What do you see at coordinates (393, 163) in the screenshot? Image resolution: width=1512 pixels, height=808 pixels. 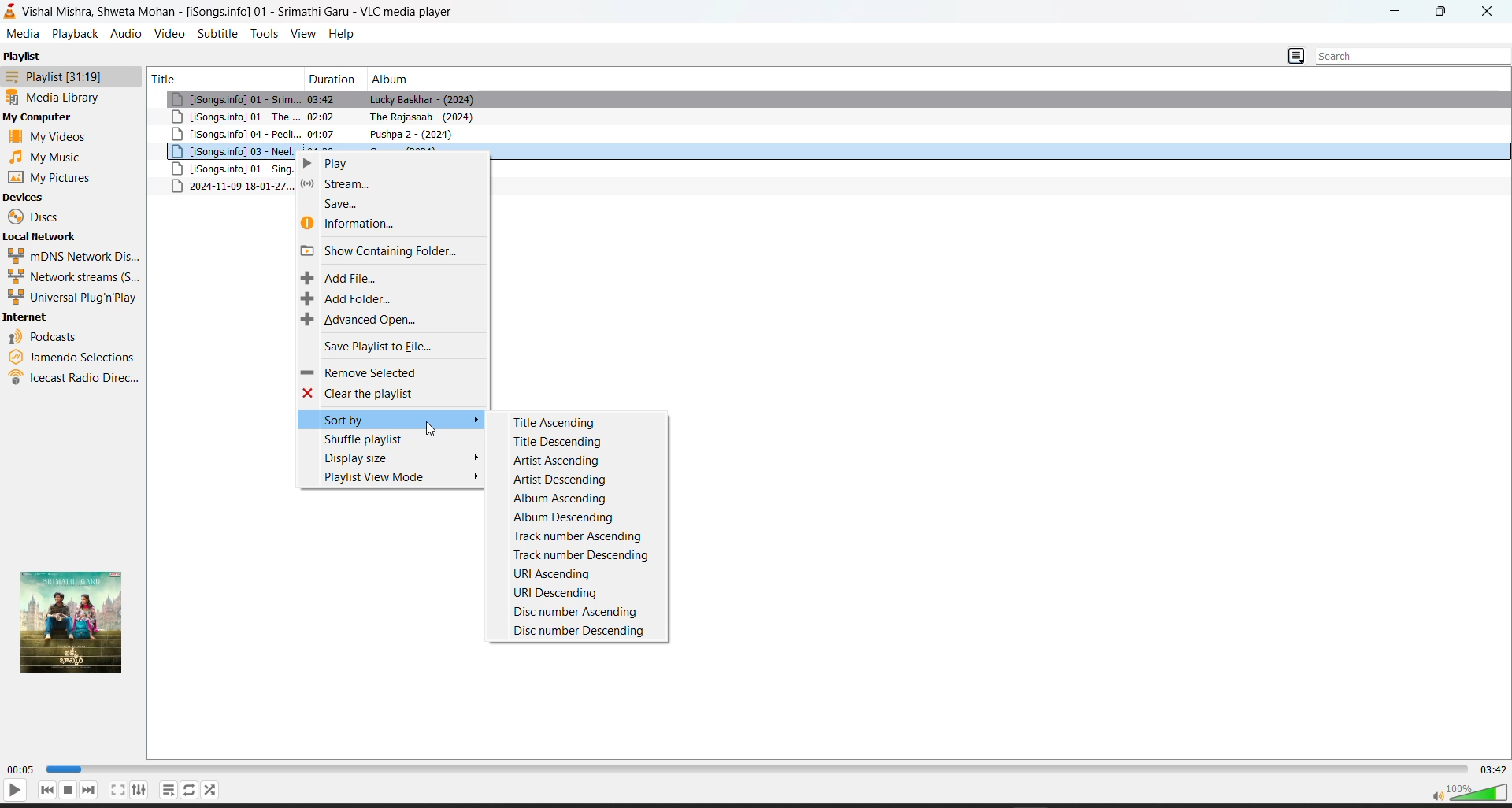 I see `play` at bounding box center [393, 163].